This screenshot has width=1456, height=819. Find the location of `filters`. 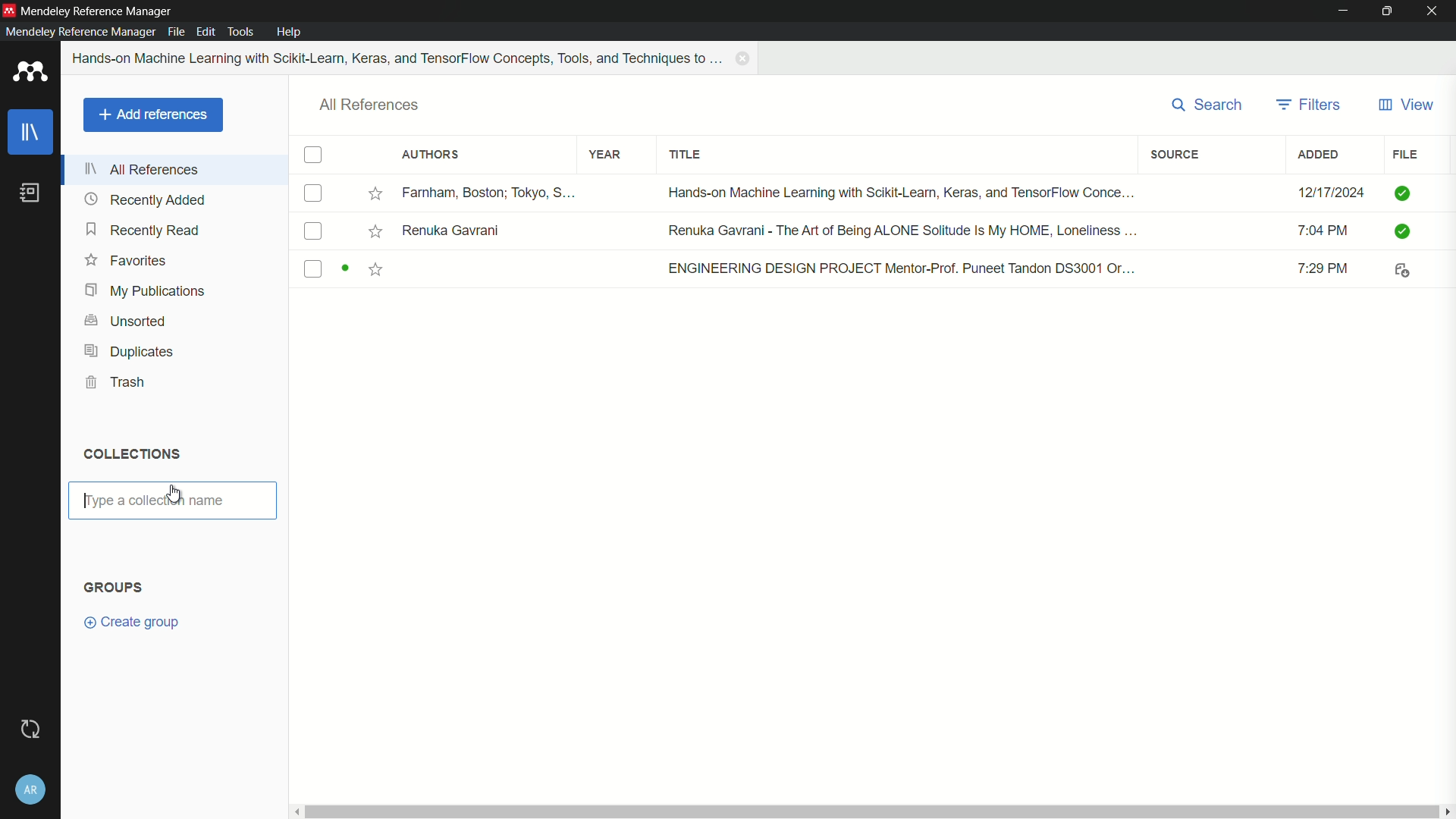

filters is located at coordinates (1308, 105).